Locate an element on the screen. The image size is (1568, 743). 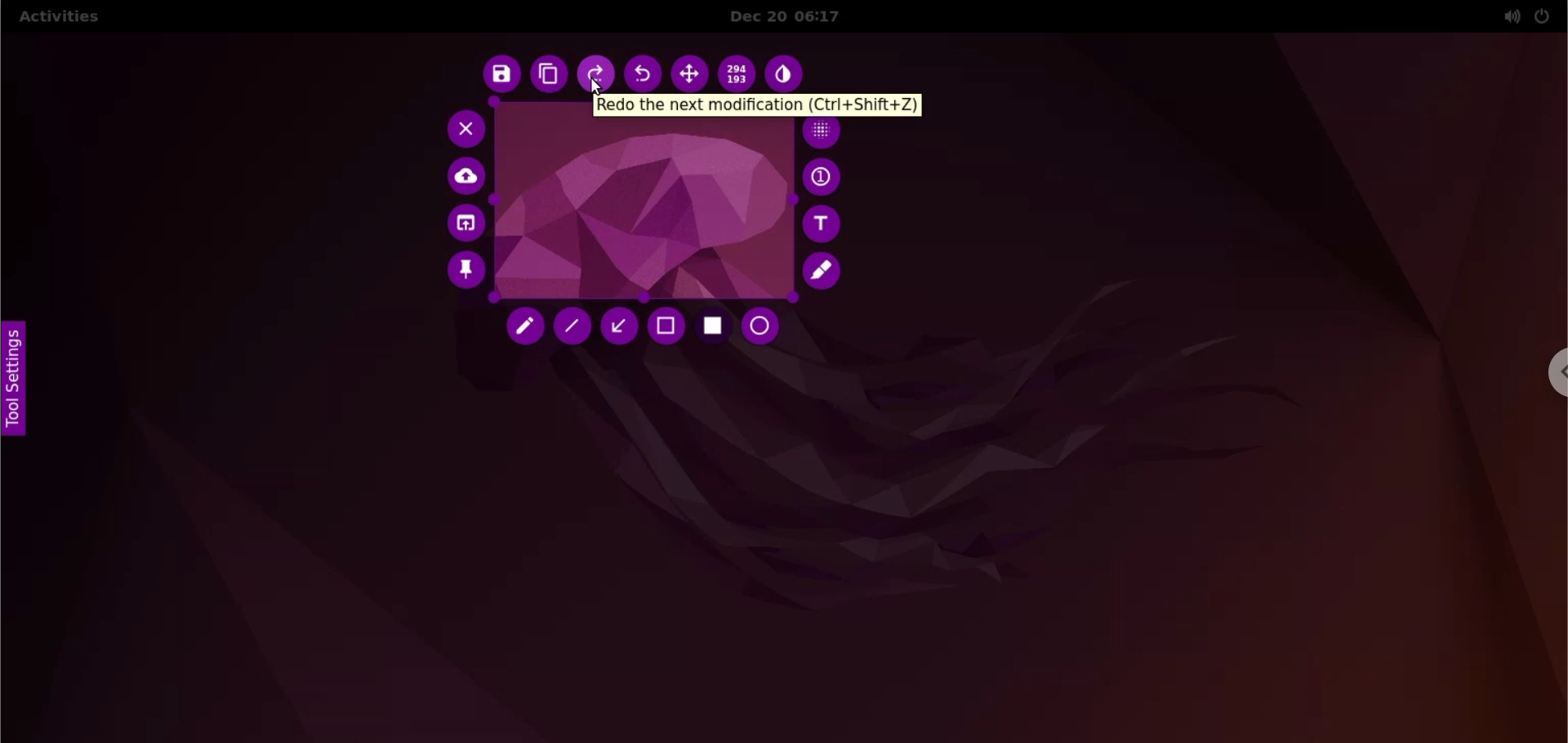
tool settings is located at coordinates (20, 380).